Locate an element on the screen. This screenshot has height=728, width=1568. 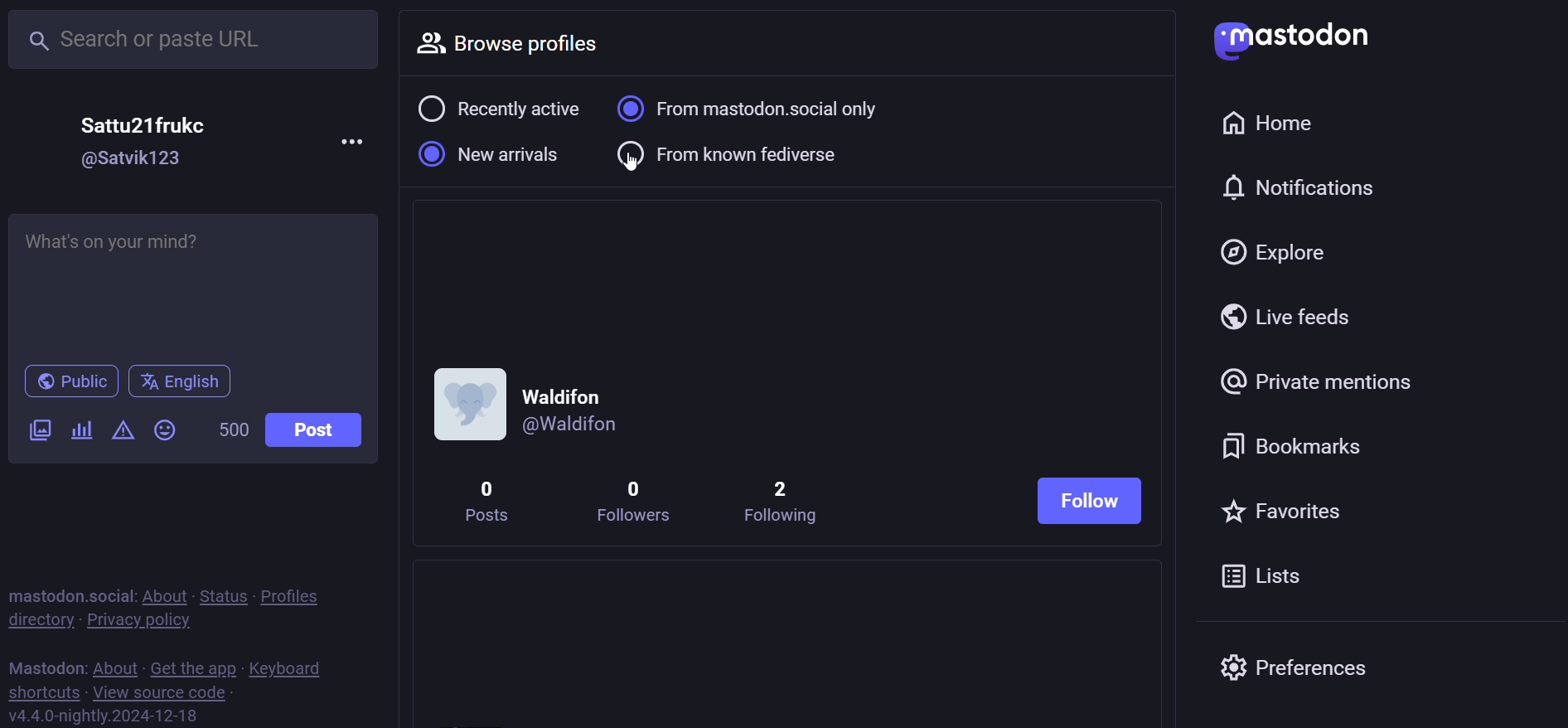
status is located at coordinates (222, 596).